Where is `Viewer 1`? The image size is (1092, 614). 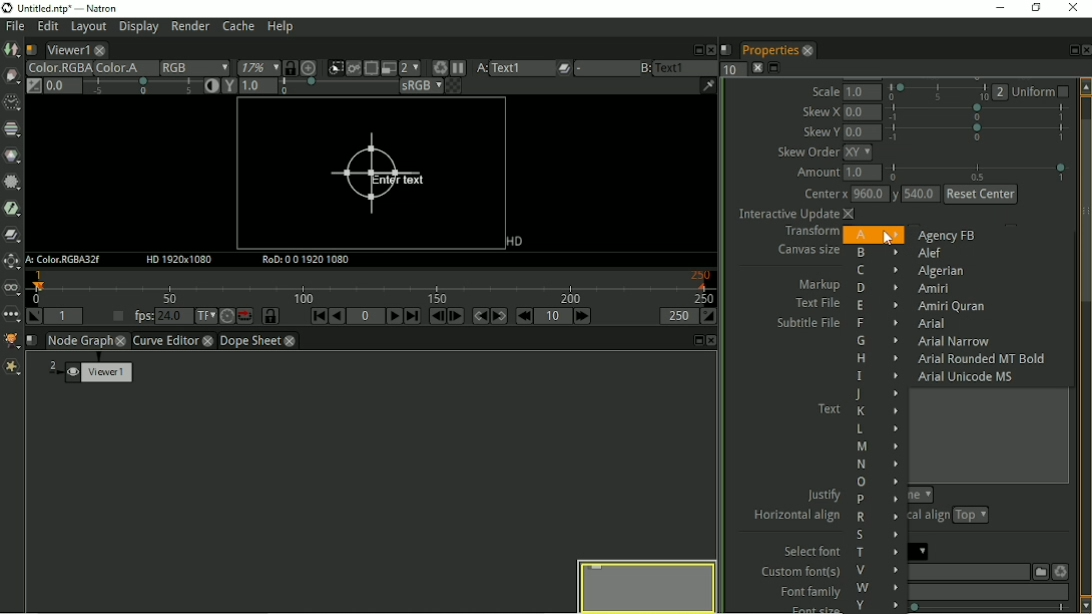
Viewer 1 is located at coordinates (93, 374).